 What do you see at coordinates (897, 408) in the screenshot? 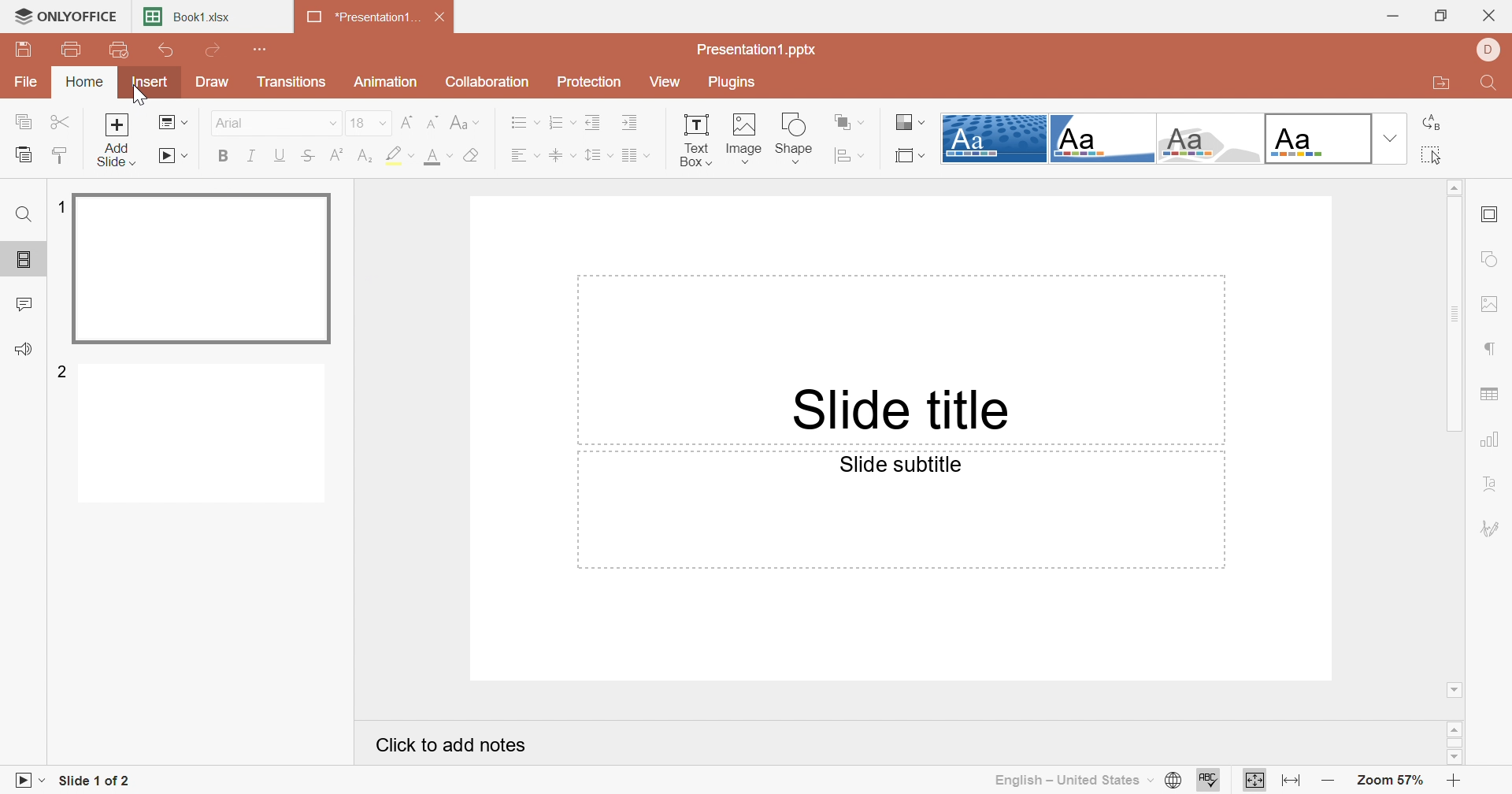
I see `Slide title` at bounding box center [897, 408].